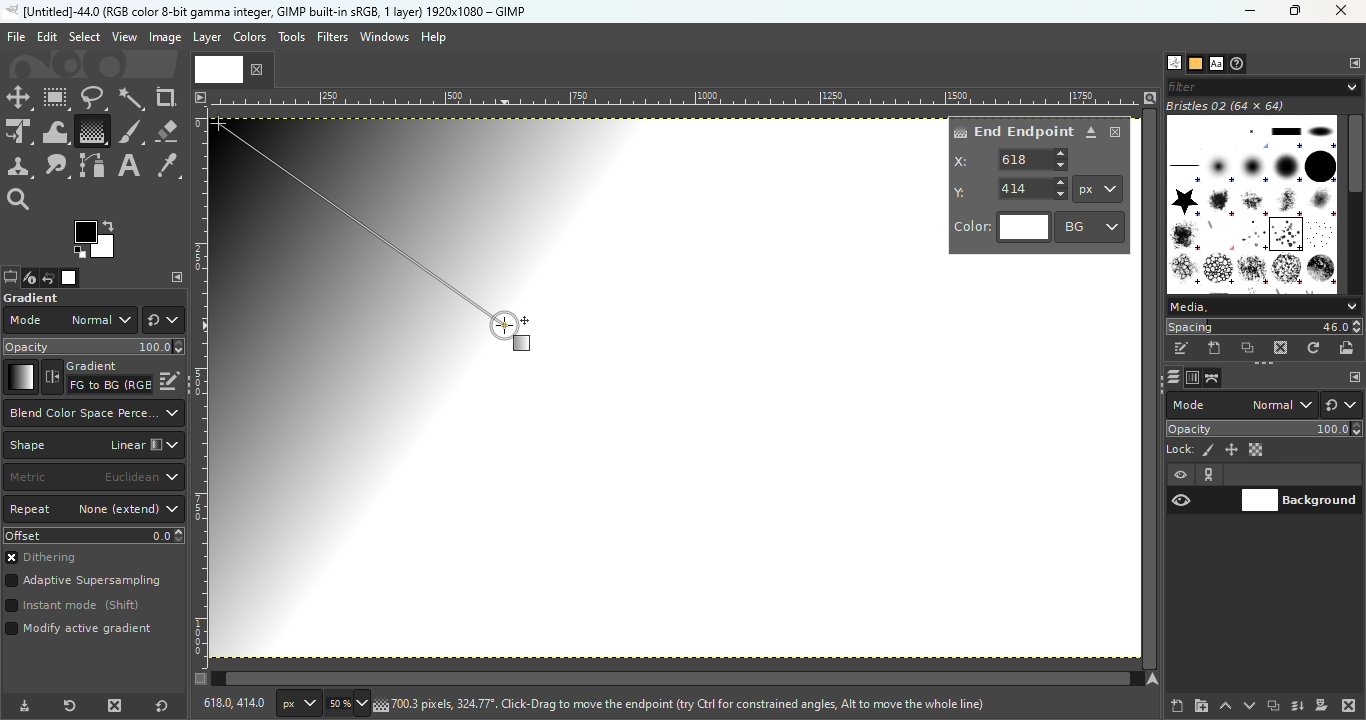 Image resolution: width=1366 pixels, height=720 pixels. Describe the element at coordinates (129, 166) in the screenshot. I see `Text tool` at that location.